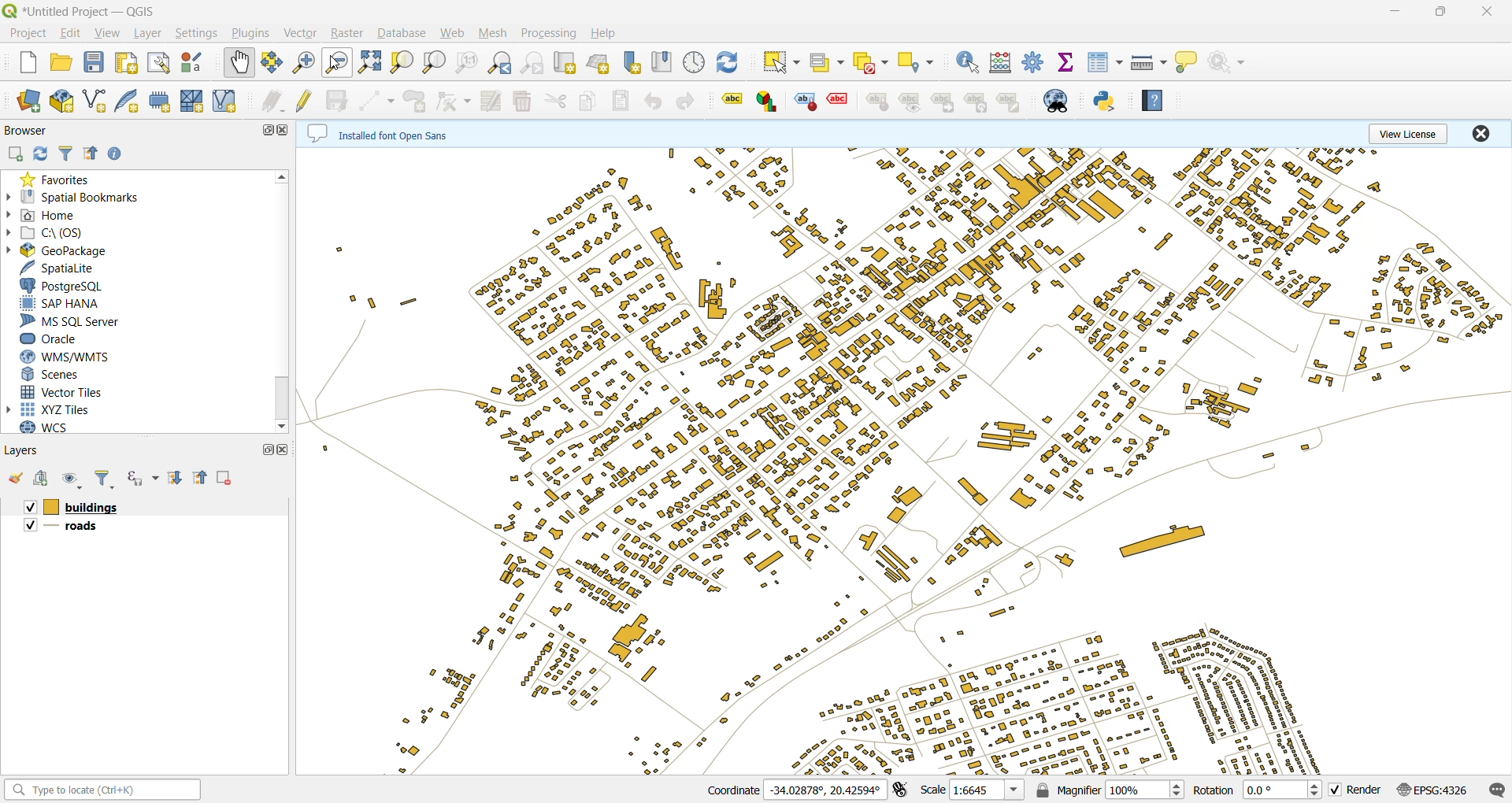 The width and height of the screenshot is (1512, 803). Describe the element at coordinates (265, 453) in the screenshot. I see `maximize` at that location.